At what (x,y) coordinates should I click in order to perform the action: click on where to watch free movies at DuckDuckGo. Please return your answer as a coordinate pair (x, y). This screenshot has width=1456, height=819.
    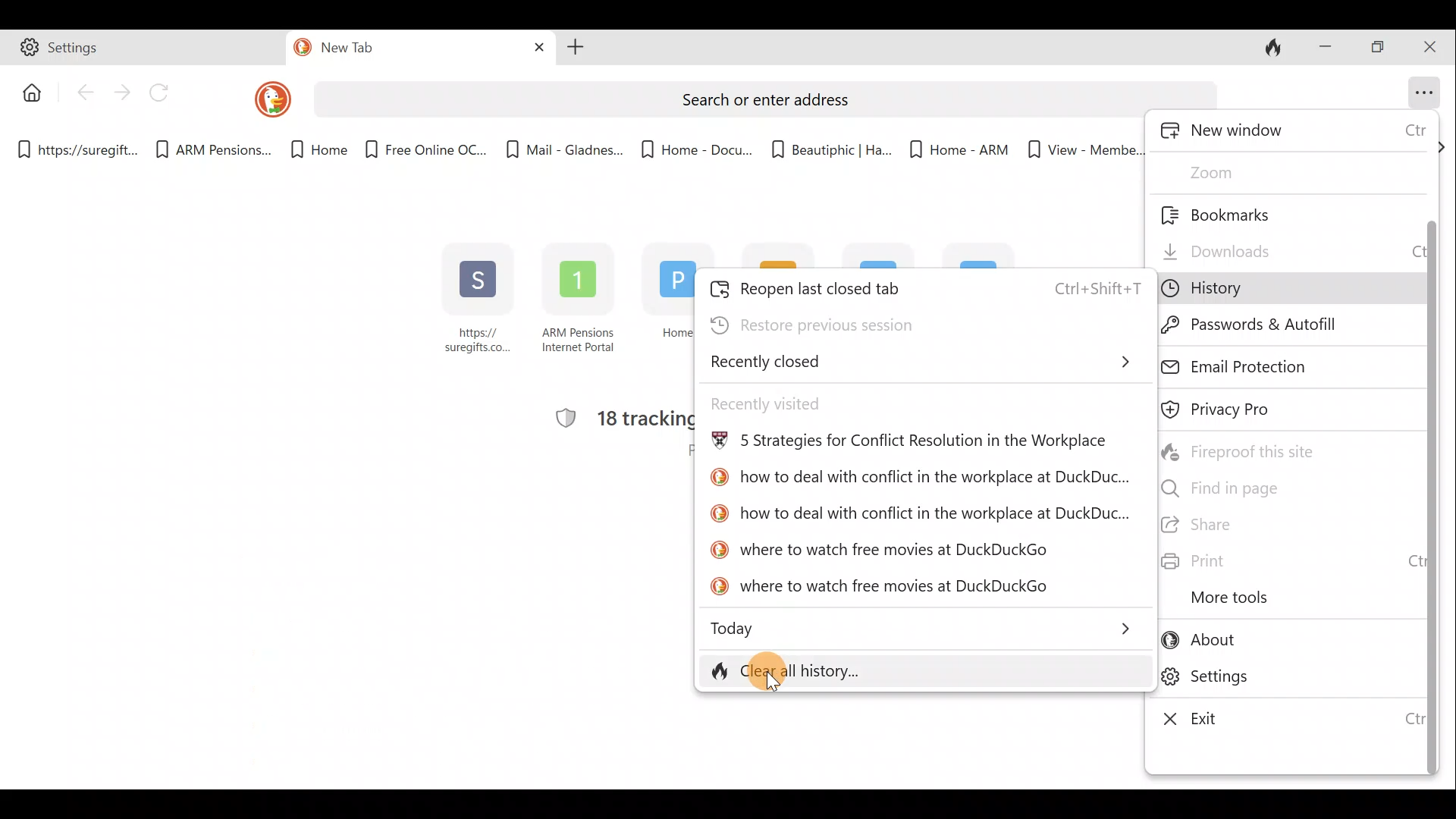
    Looking at the image, I should click on (882, 588).